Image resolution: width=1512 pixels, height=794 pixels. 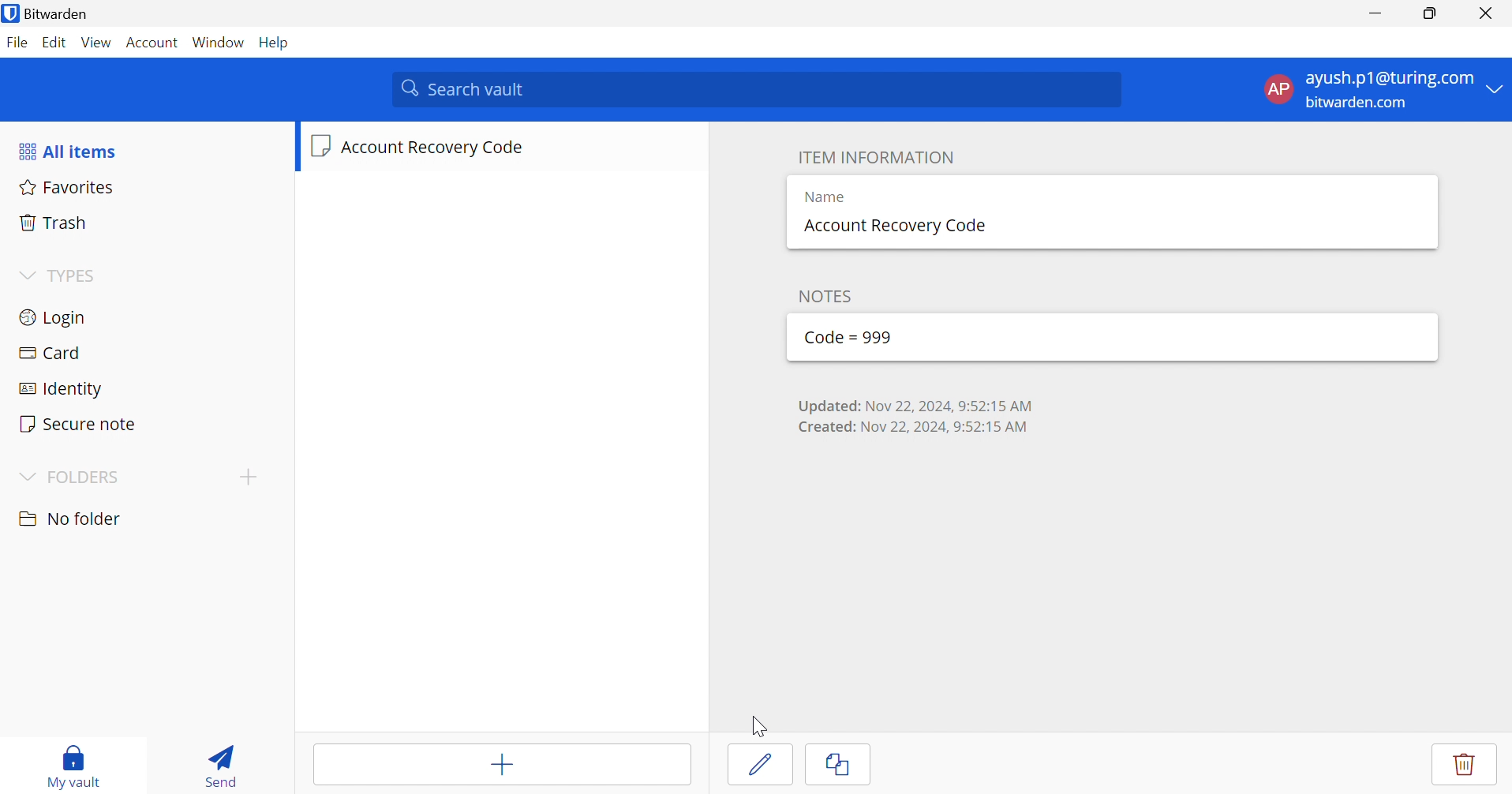 What do you see at coordinates (54, 223) in the screenshot?
I see `Trash` at bounding box center [54, 223].